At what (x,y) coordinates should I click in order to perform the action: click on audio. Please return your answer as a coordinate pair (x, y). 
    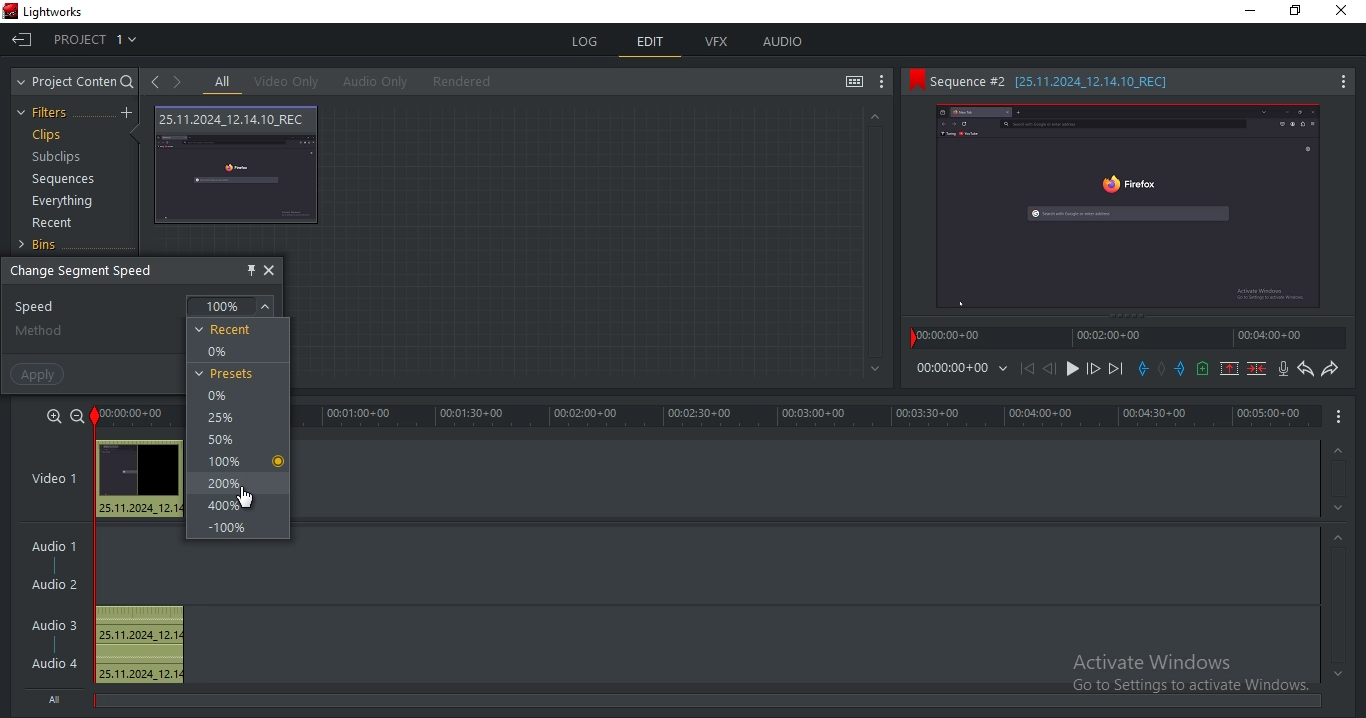
    Looking at the image, I should click on (141, 479).